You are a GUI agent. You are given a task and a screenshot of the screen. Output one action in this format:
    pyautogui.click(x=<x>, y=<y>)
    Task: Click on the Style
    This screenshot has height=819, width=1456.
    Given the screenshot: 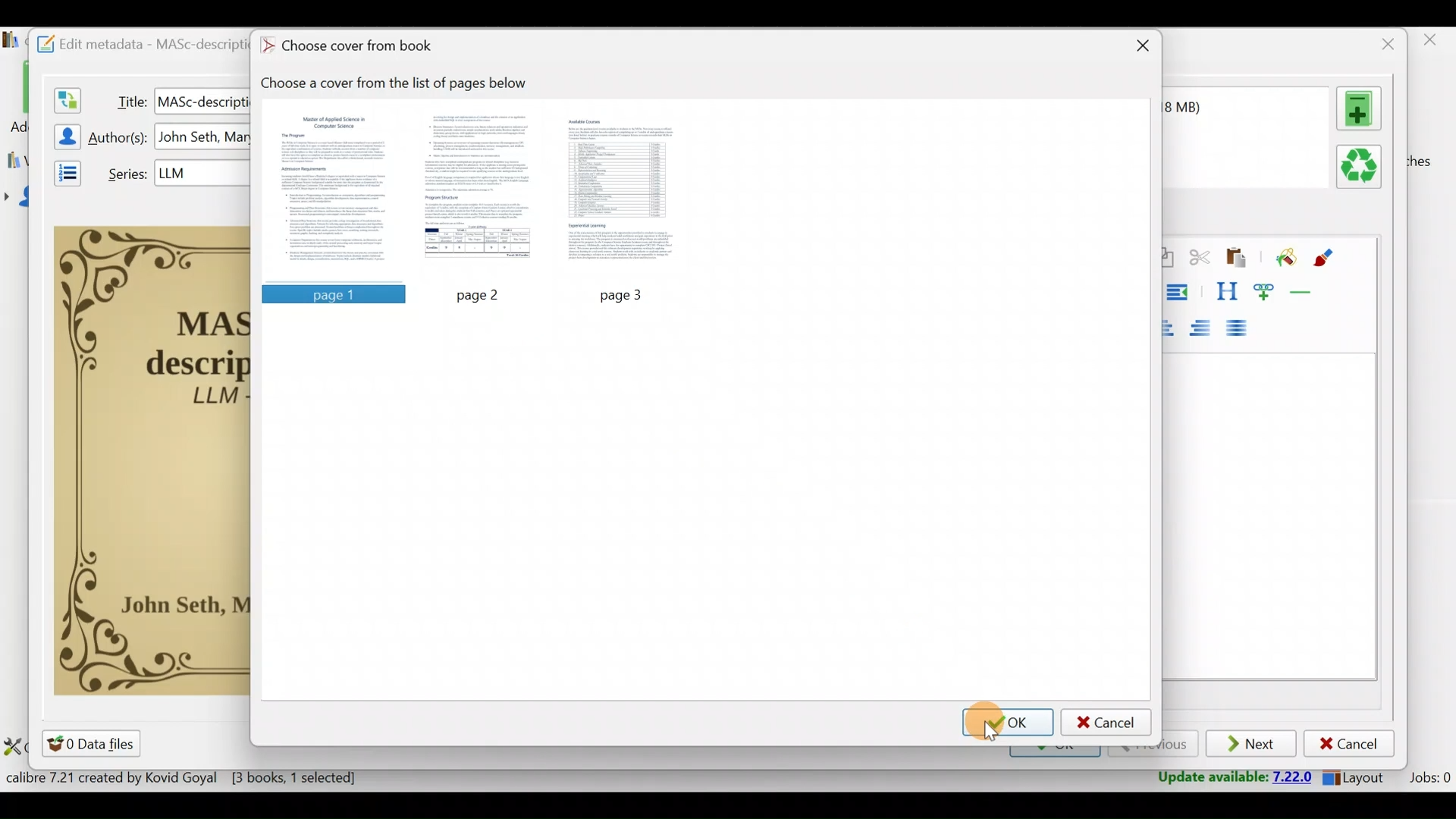 What is the action you would take?
    pyautogui.click(x=1226, y=291)
    